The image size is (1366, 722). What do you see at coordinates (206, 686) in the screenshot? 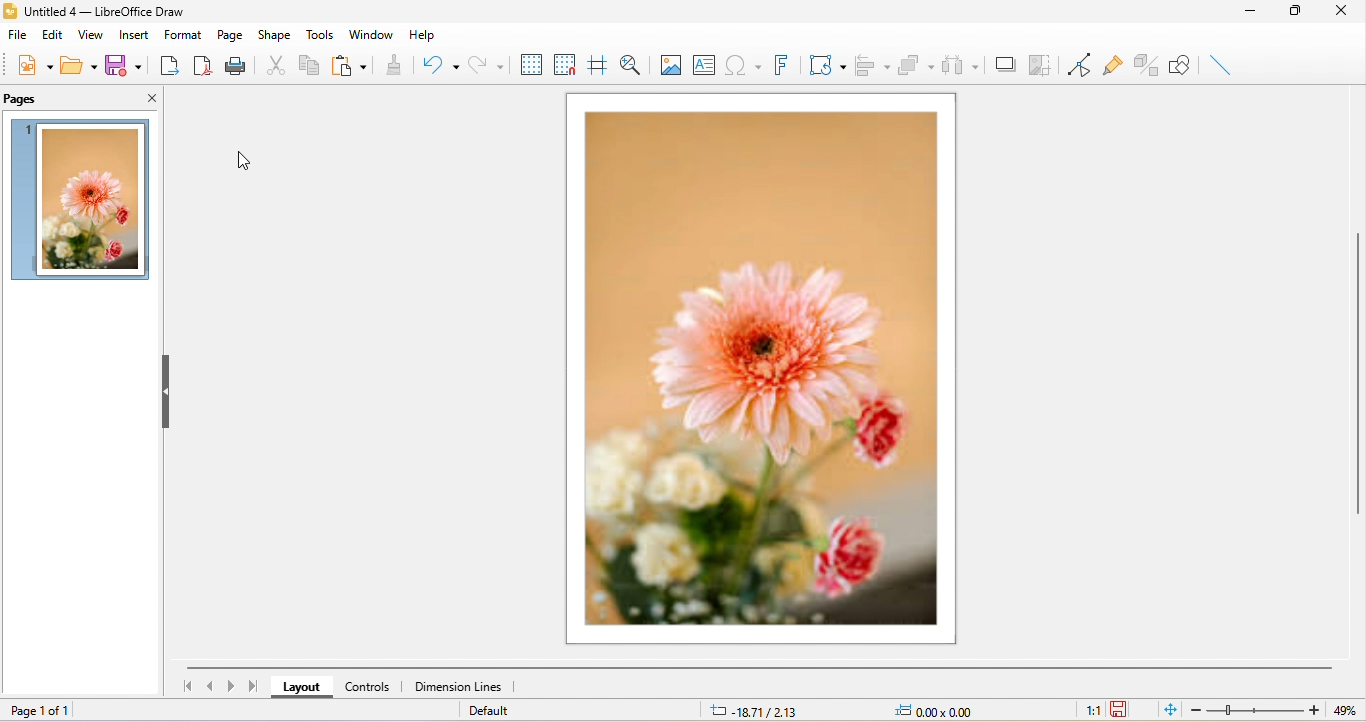
I see `previous page` at bounding box center [206, 686].